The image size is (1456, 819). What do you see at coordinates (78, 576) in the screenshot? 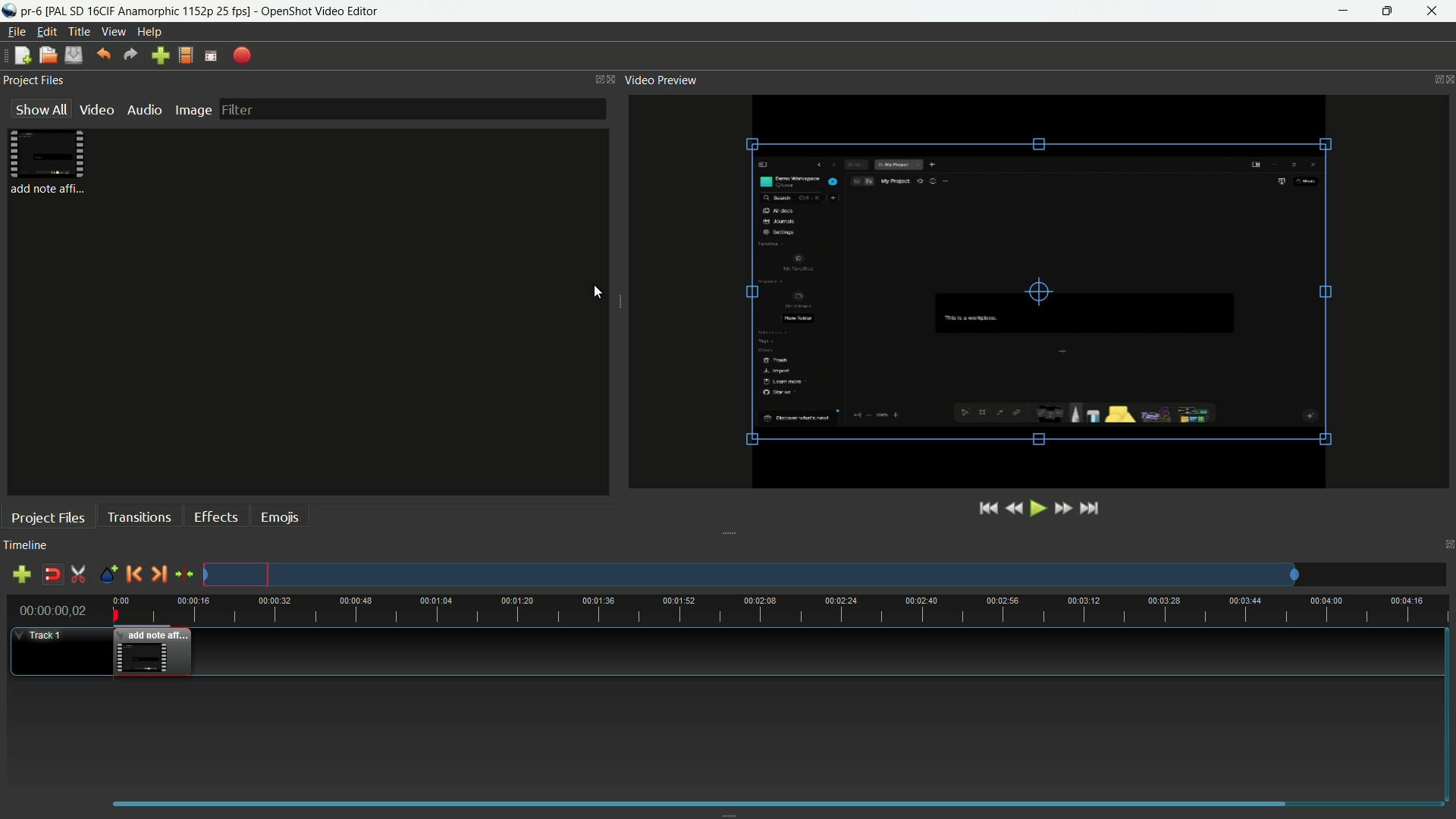
I see `enable razor` at bounding box center [78, 576].